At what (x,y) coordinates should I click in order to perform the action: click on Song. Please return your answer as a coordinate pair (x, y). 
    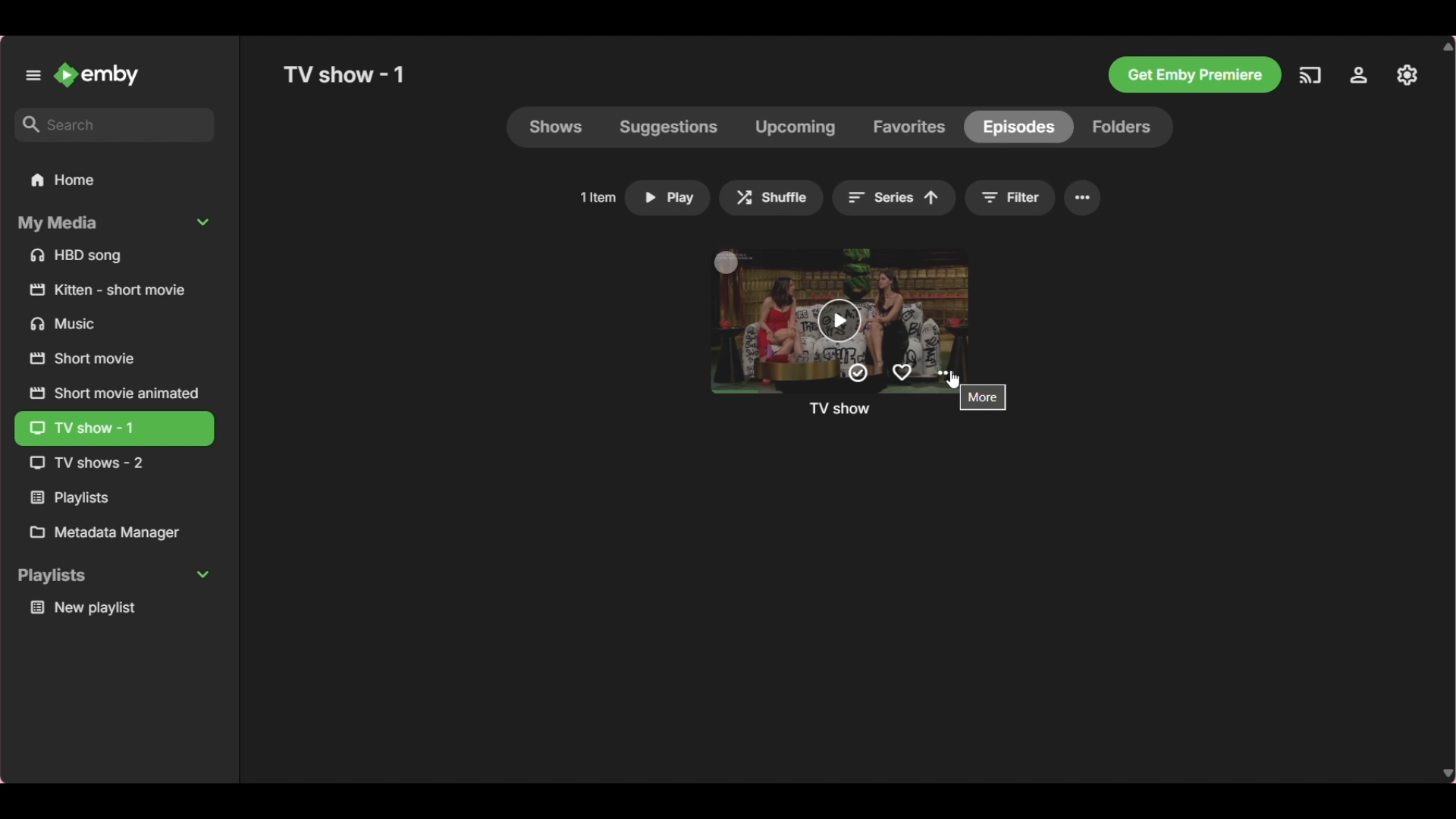
    Looking at the image, I should click on (115, 256).